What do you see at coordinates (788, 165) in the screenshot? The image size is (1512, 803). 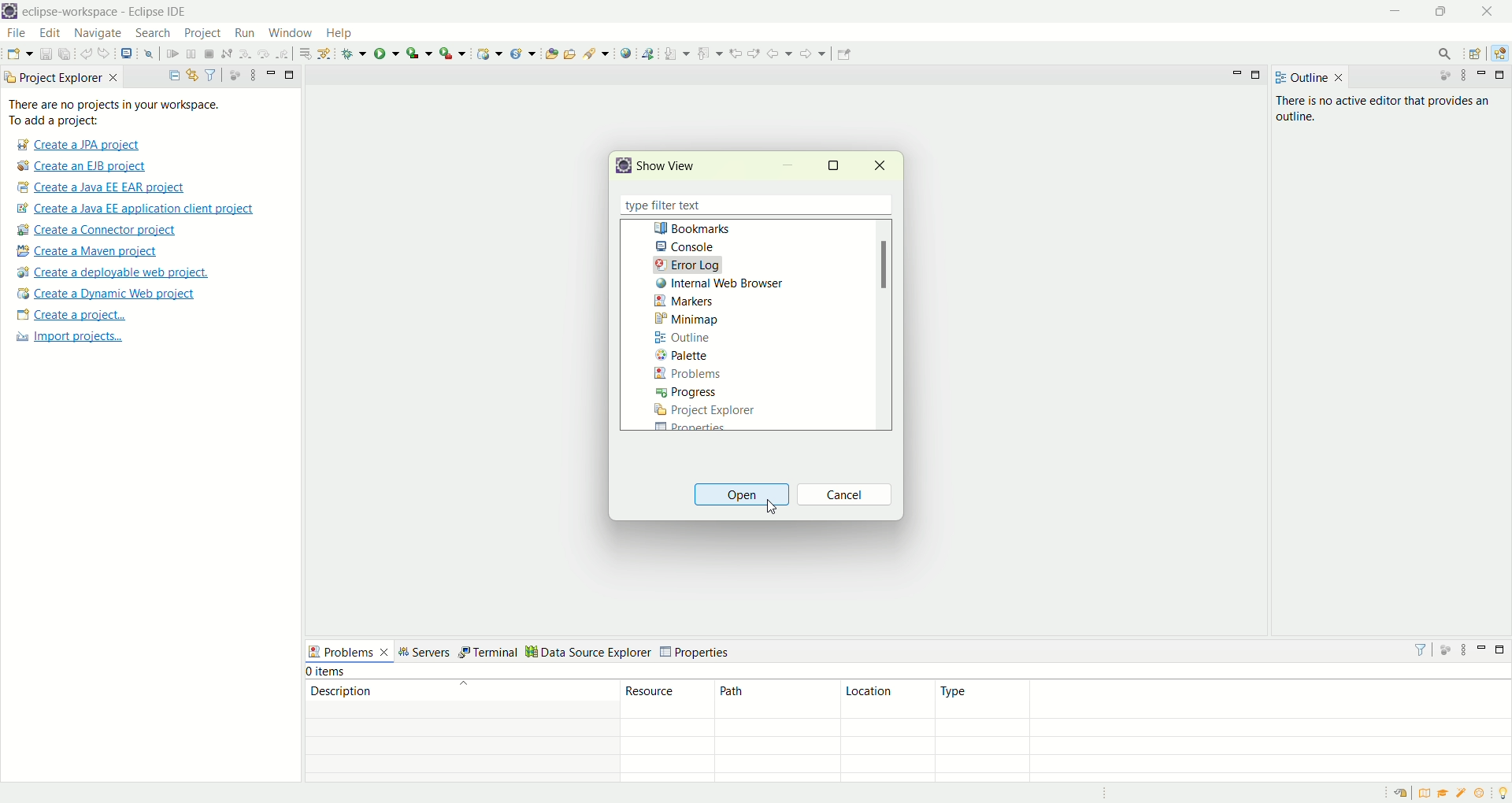 I see `minimize` at bounding box center [788, 165].